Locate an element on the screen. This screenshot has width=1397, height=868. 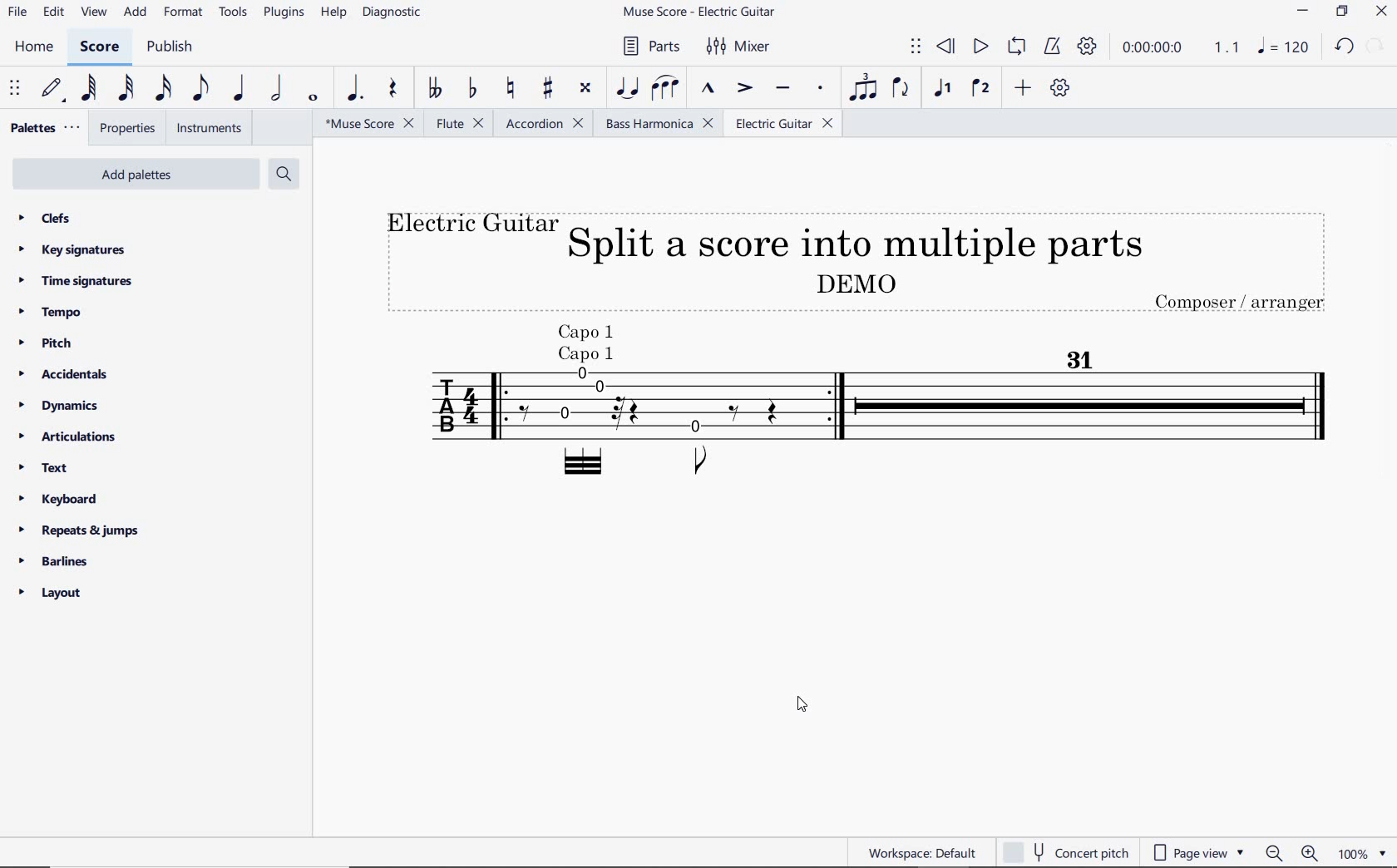
rewind is located at coordinates (946, 47).